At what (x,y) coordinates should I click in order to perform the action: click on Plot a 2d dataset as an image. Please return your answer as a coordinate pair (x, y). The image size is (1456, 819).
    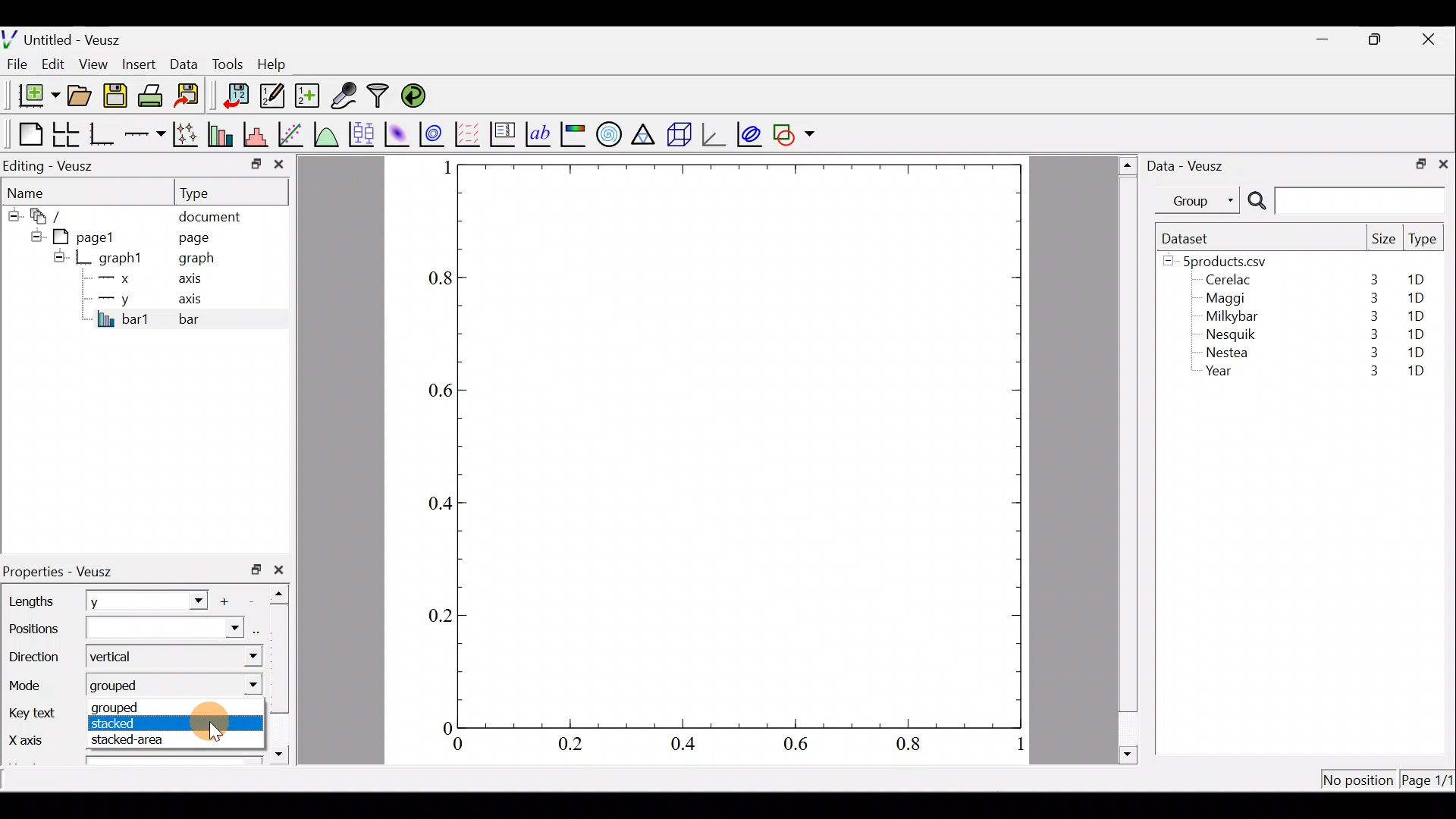
    Looking at the image, I should click on (399, 132).